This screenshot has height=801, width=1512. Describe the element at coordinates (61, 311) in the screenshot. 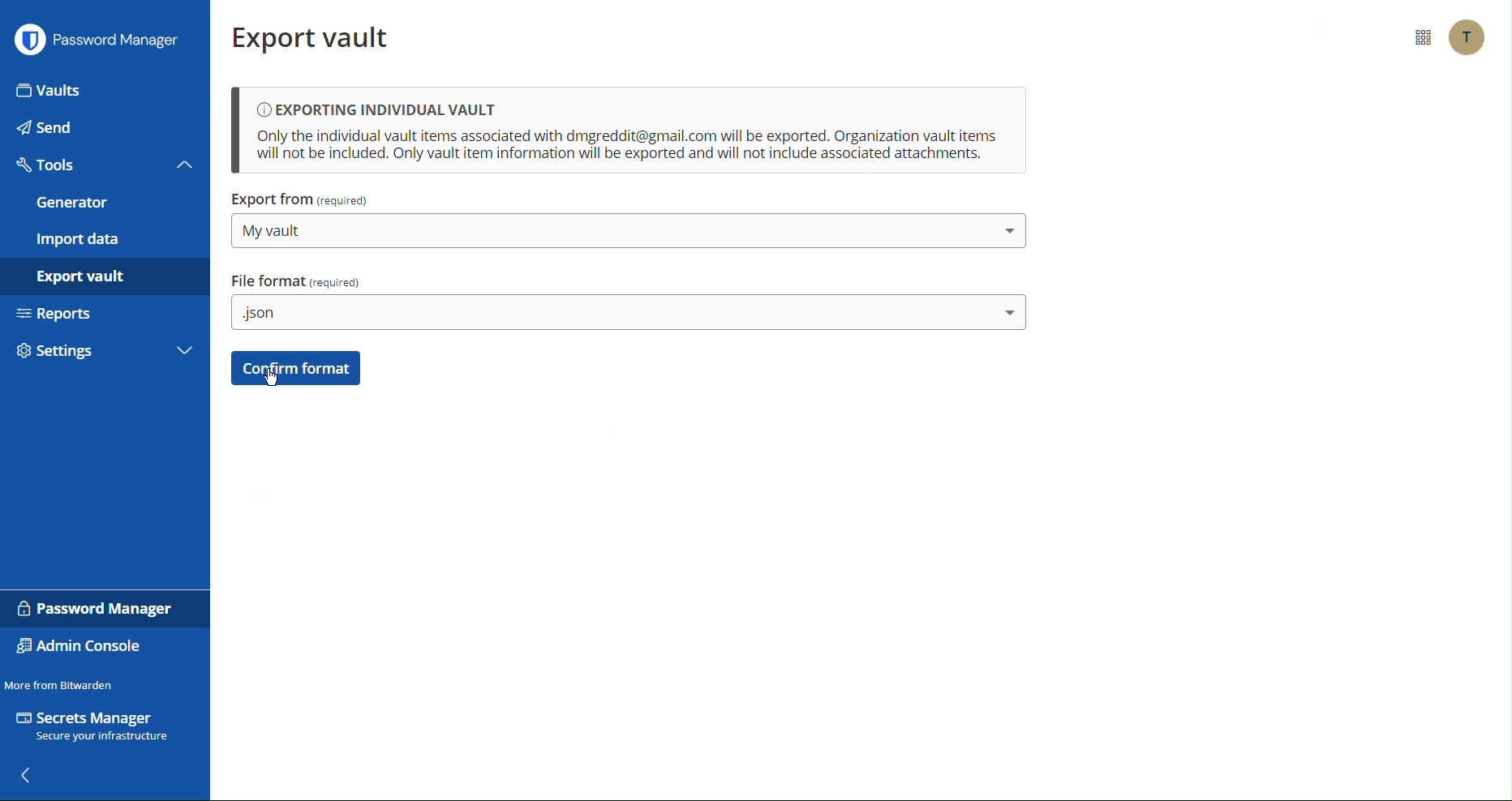

I see `Reports` at that location.